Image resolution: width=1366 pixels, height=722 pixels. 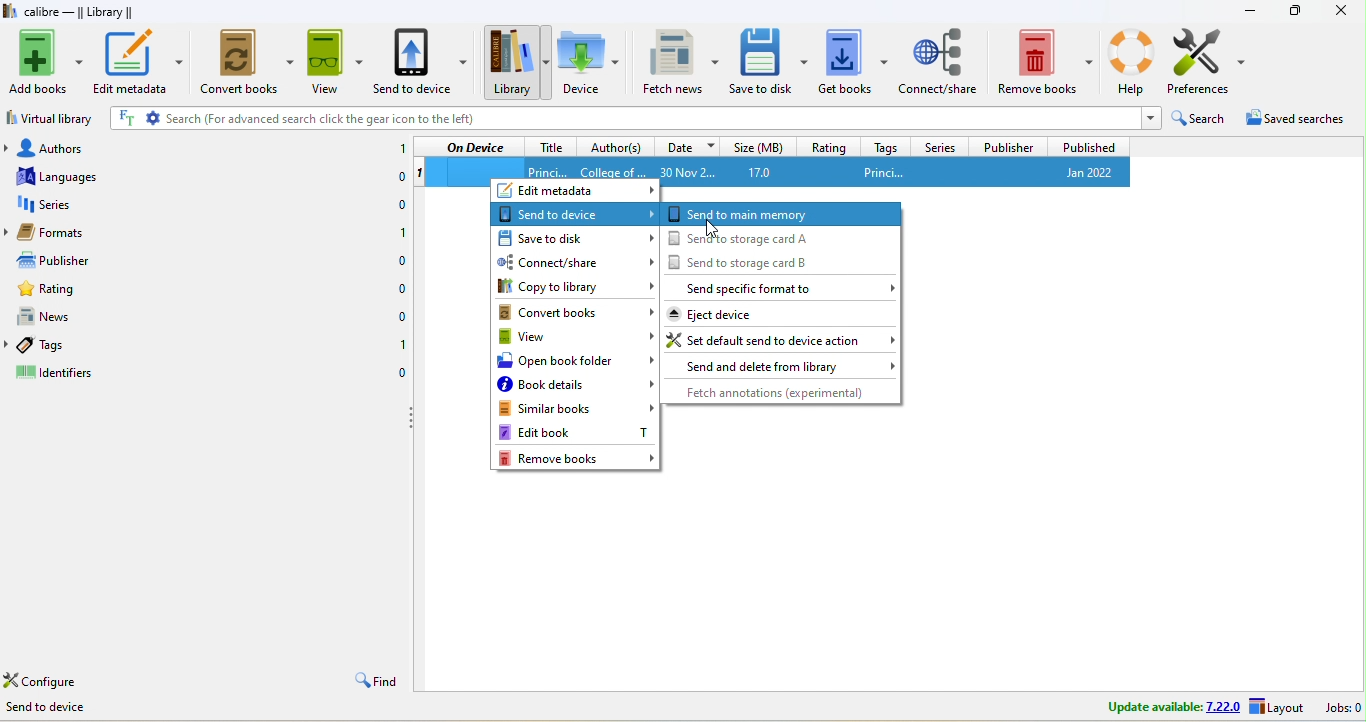 What do you see at coordinates (828, 146) in the screenshot?
I see `rating` at bounding box center [828, 146].